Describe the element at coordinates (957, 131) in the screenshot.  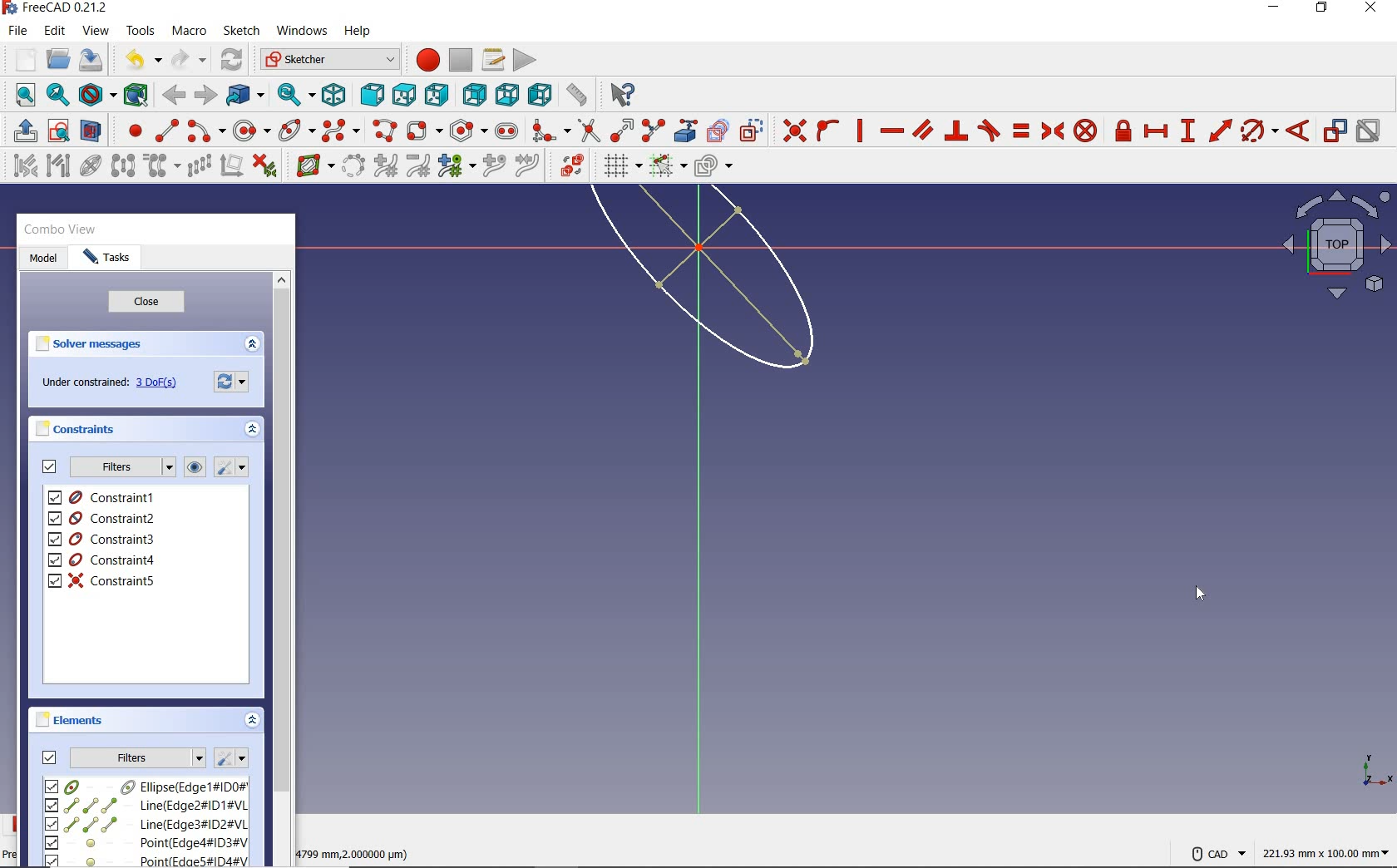
I see `constrain perpendicular` at that location.